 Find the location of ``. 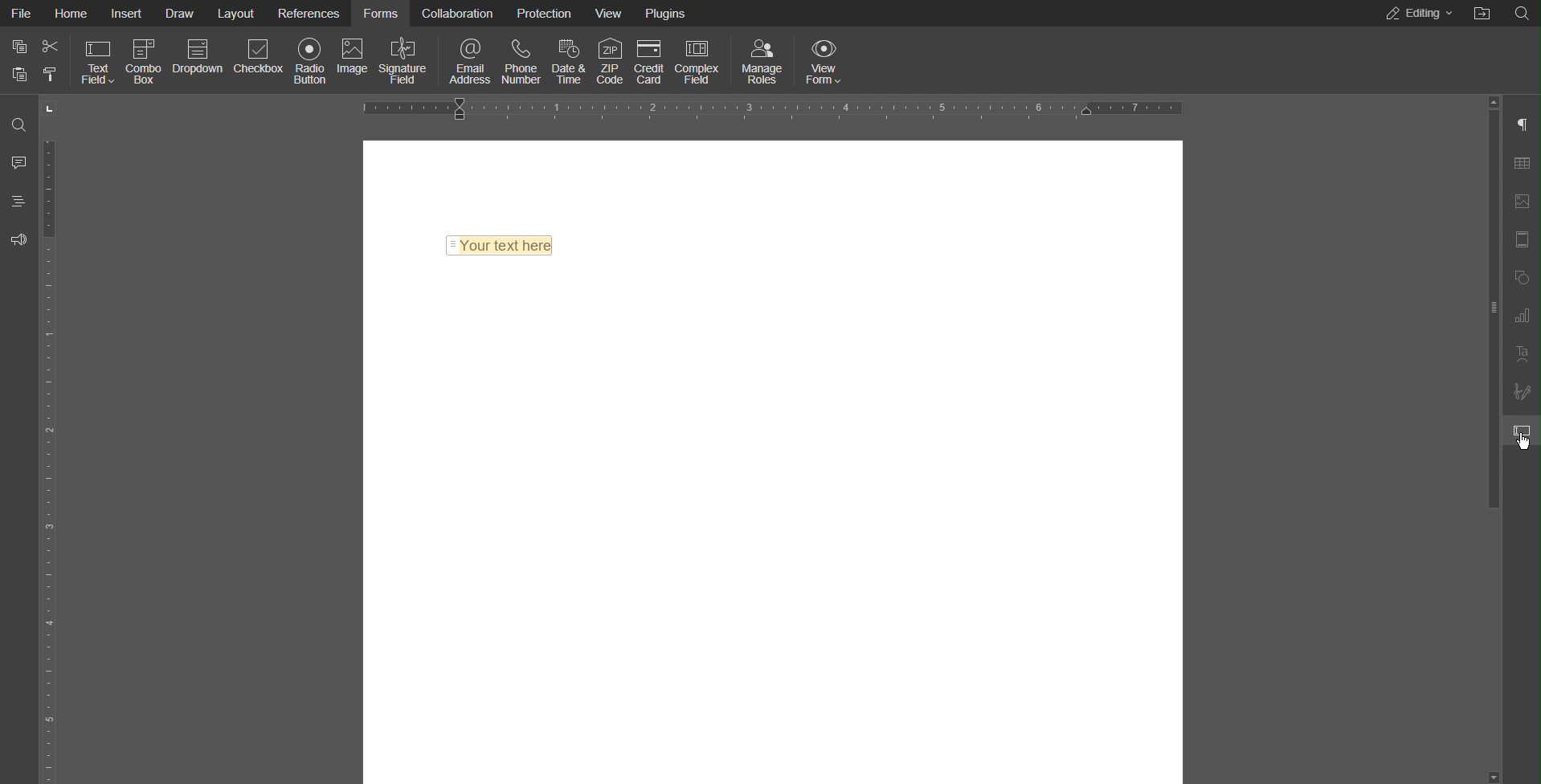

 is located at coordinates (1520, 16).